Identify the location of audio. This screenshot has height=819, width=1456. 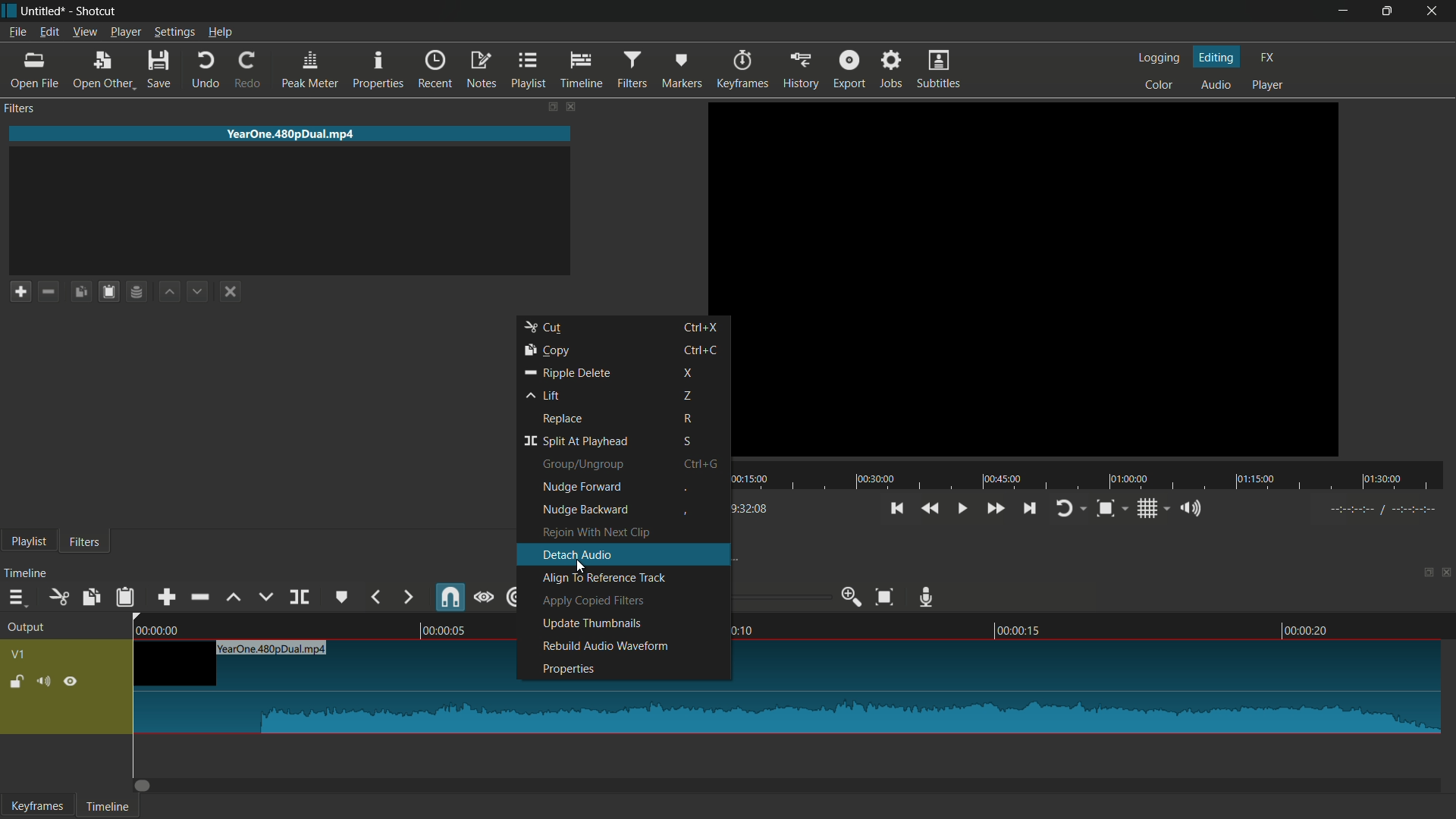
(1216, 84).